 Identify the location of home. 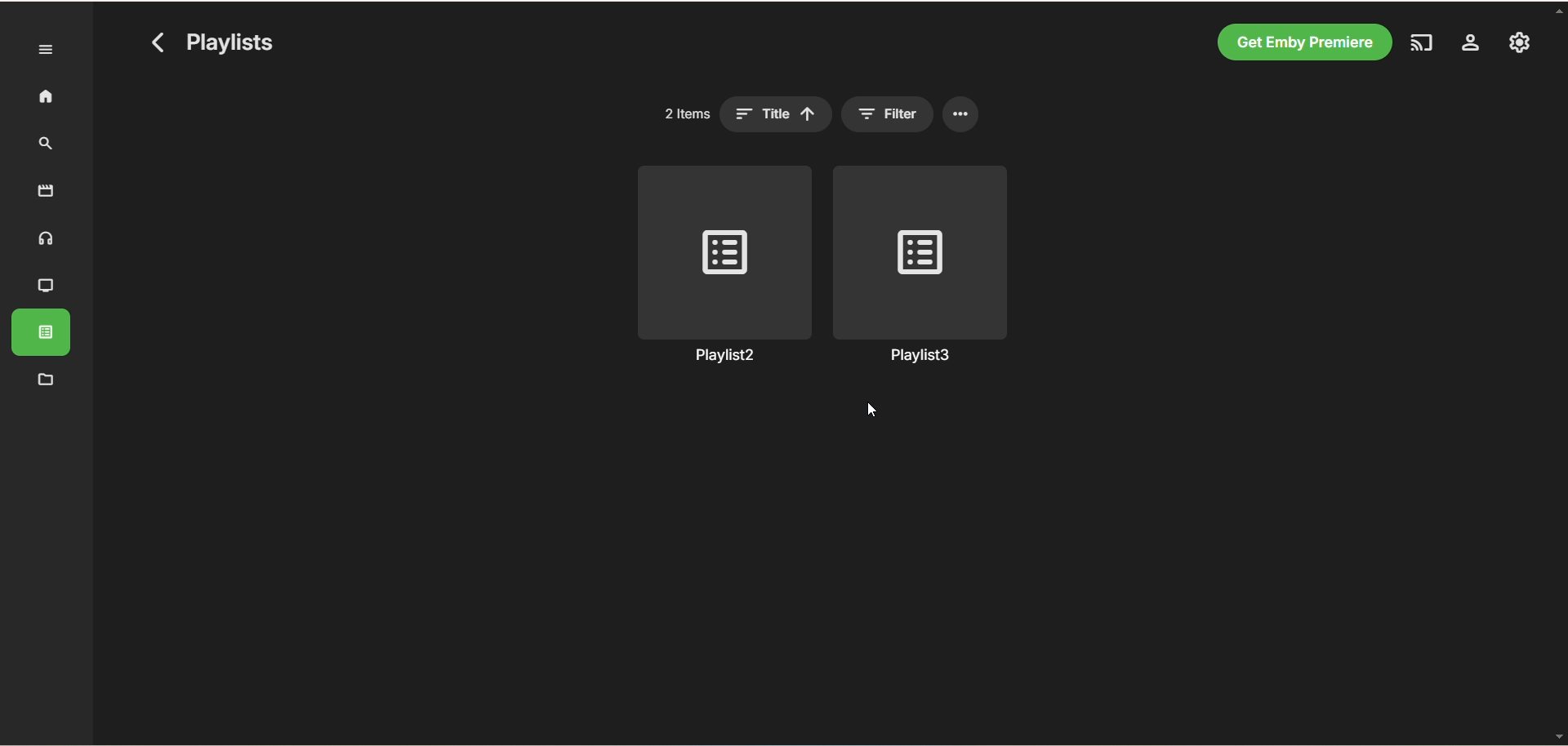
(46, 97).